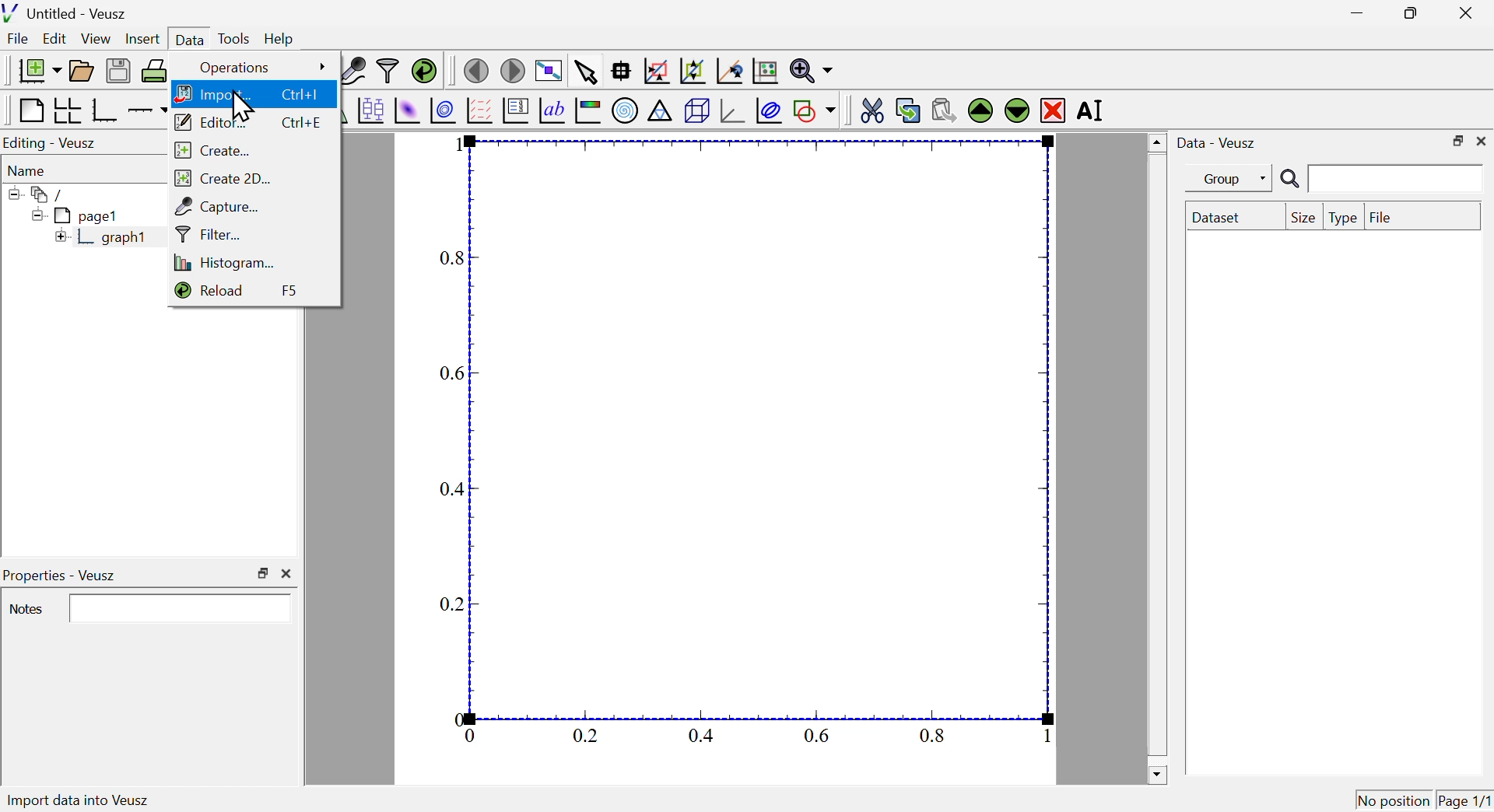 The height and width of the screenshot is (812, 1494). Describe the element at coordinates (388, 72) in the screenshot. I see `filter data` at that location.